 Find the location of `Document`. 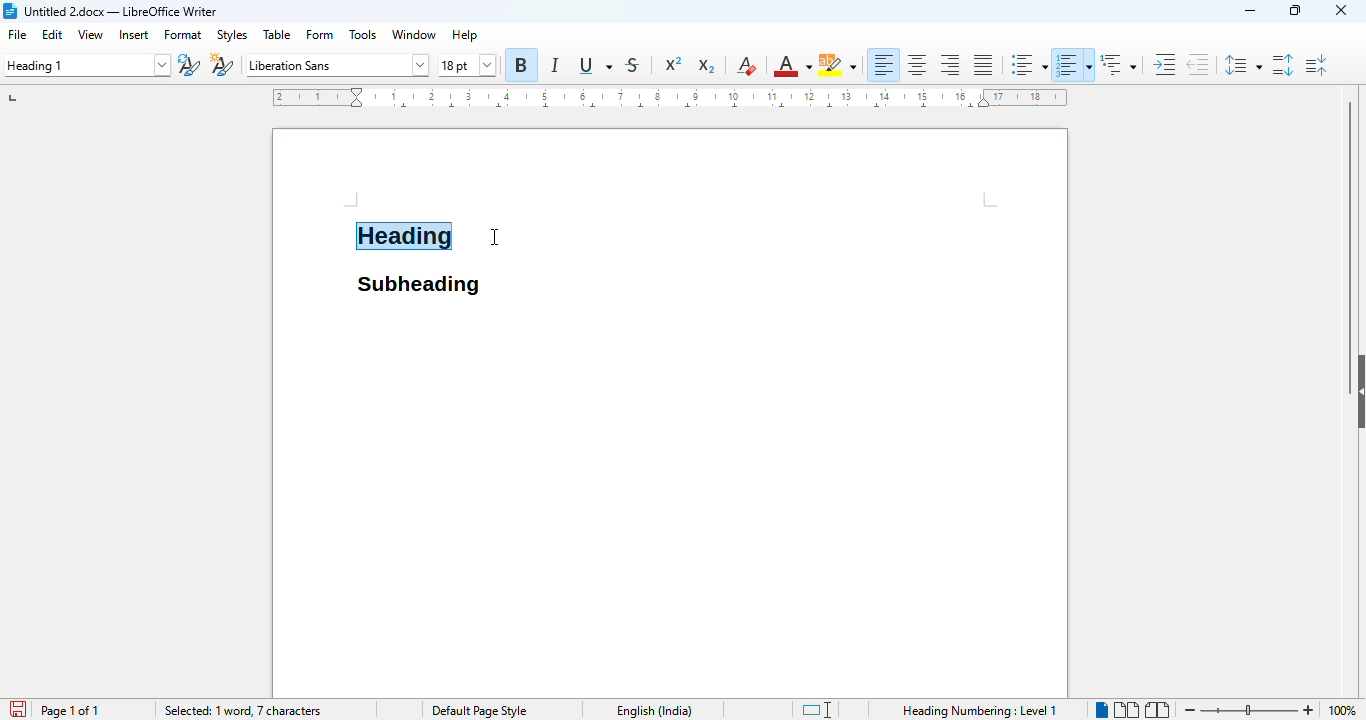

Document is located at coordinates (417, 174).